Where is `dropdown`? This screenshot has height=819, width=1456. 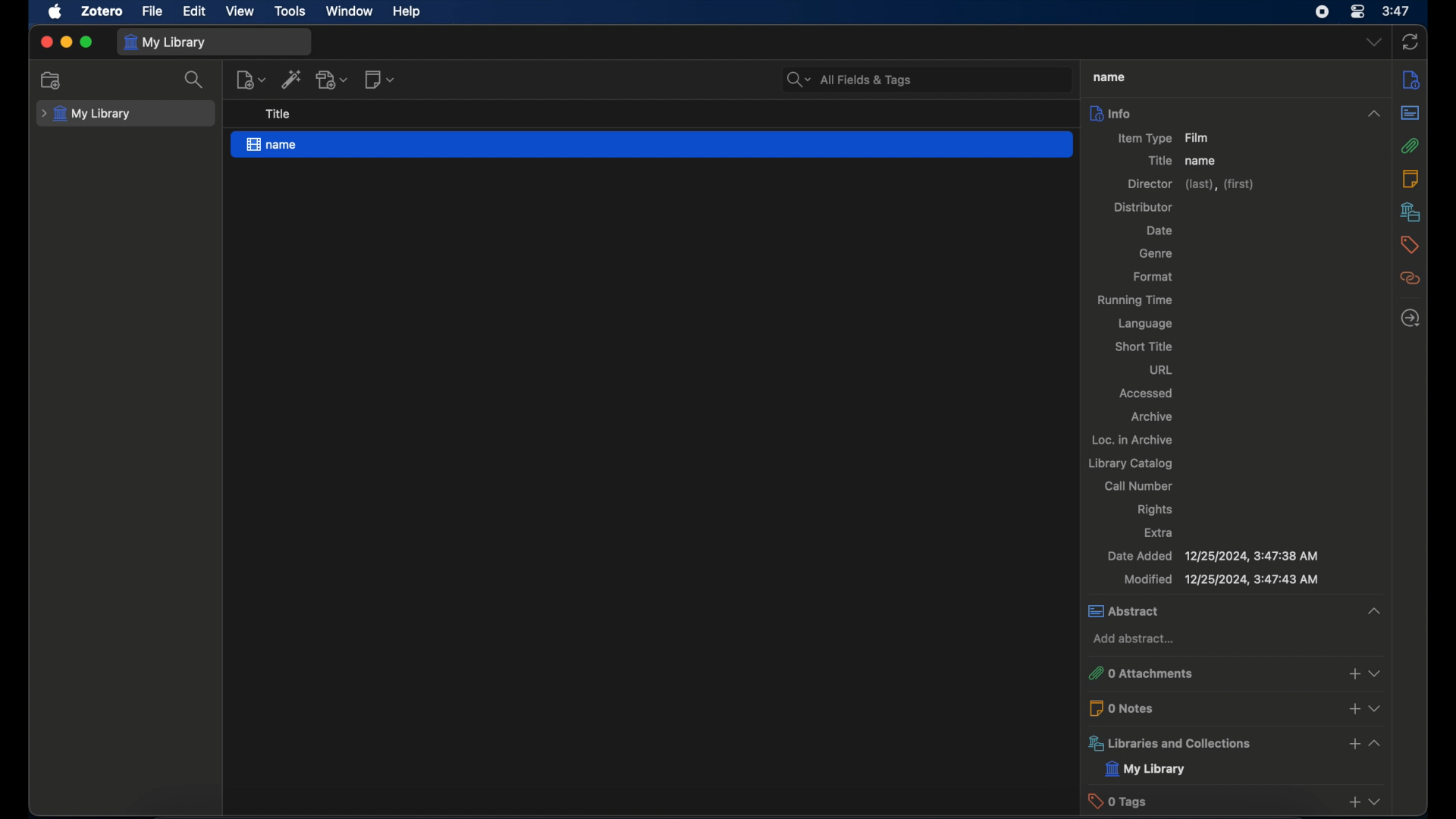 dropdown is located at coordinates (1379, 672).